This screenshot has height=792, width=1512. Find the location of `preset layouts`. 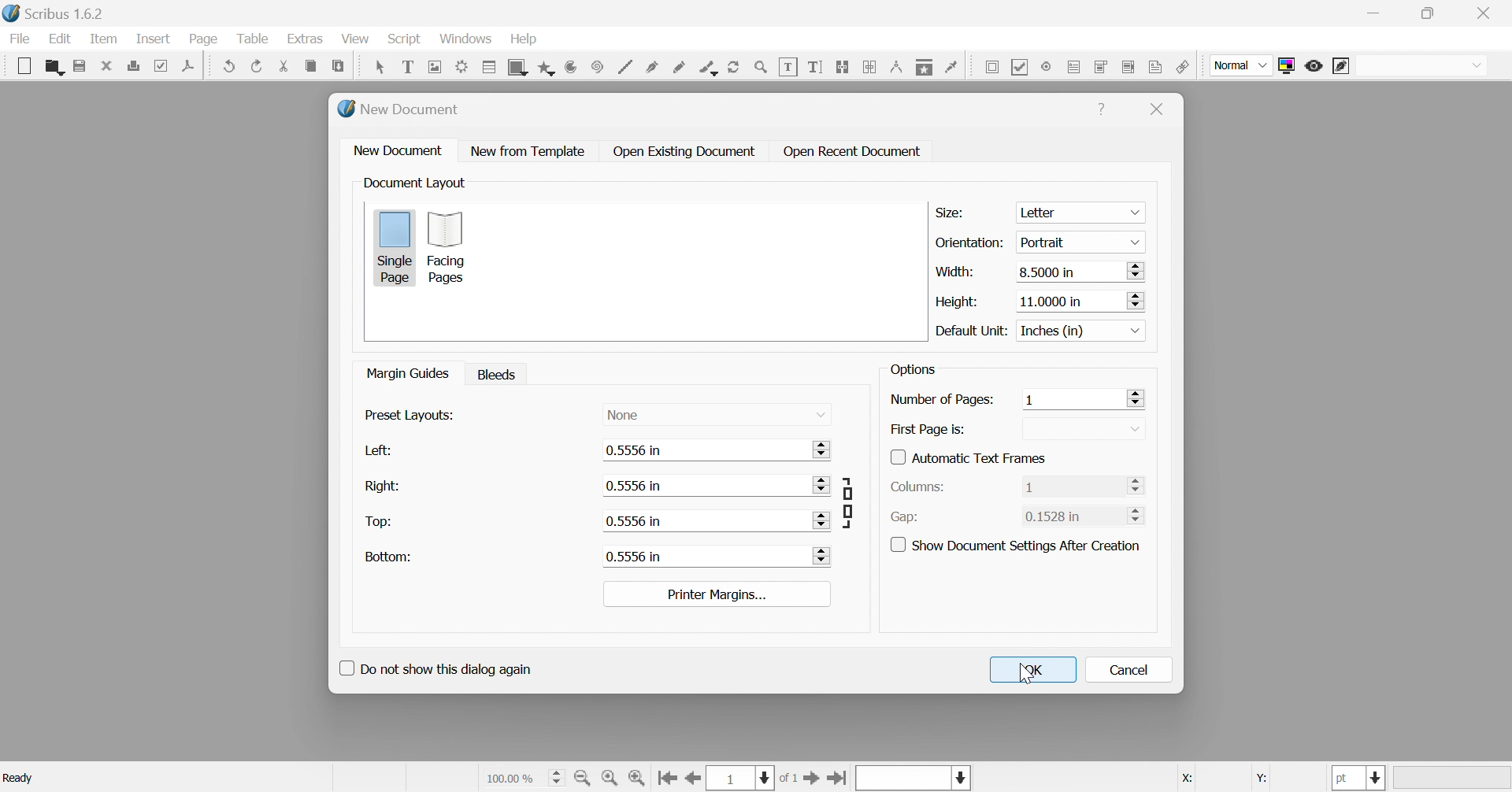

preset layouts is located at coordinates (406, 415).